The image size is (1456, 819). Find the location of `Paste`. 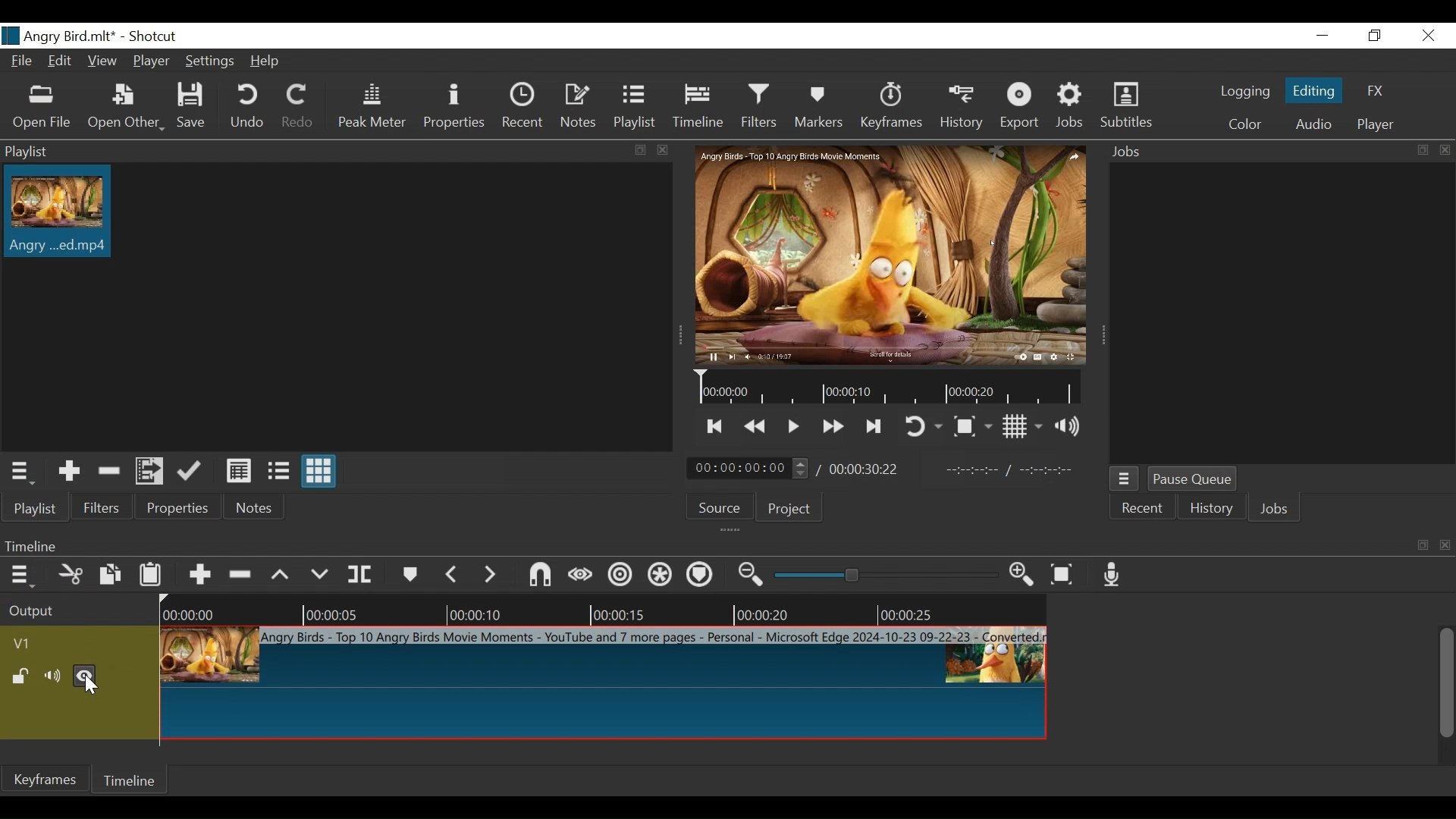

Paste is located at coordinates (152, 574).